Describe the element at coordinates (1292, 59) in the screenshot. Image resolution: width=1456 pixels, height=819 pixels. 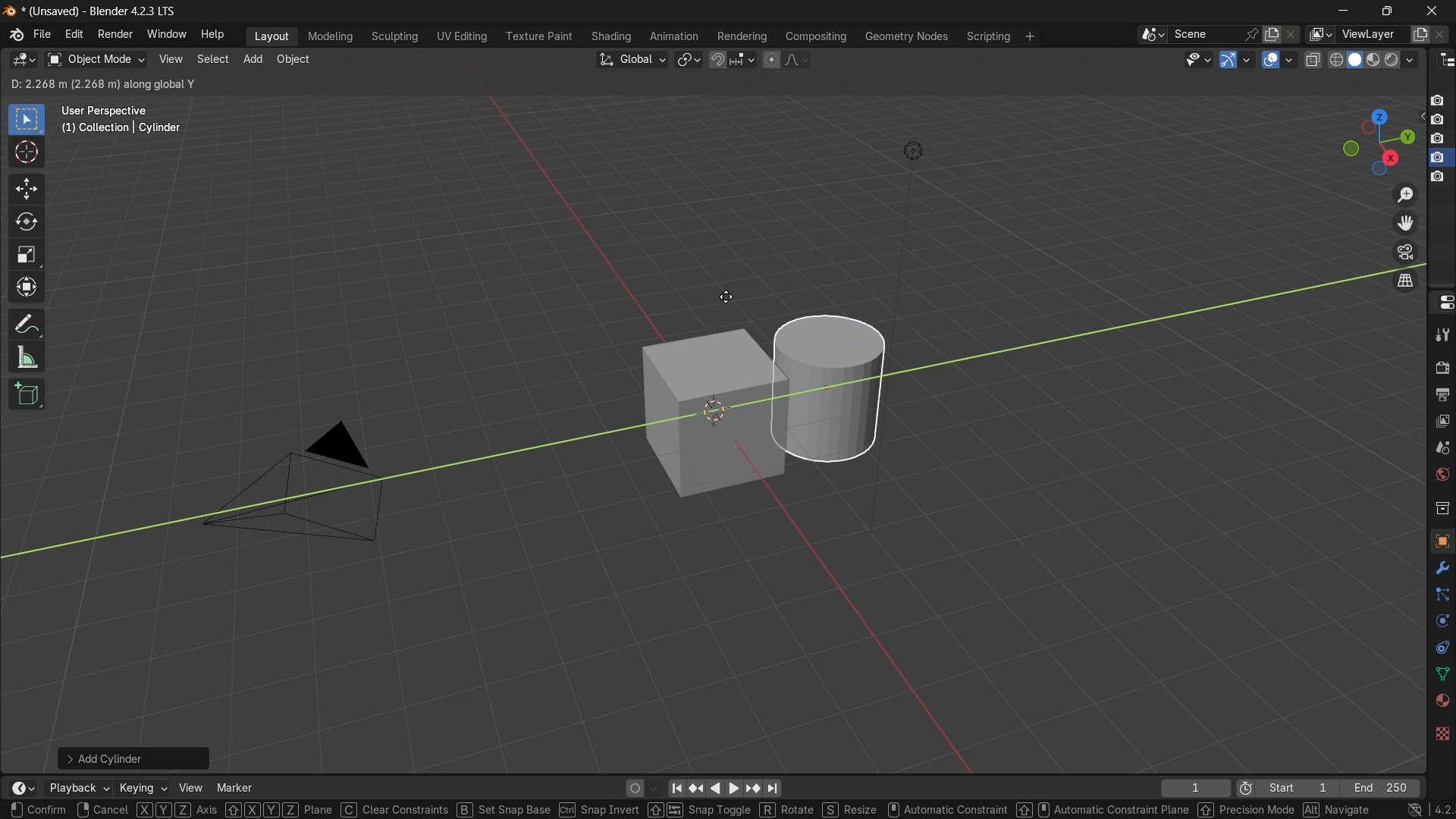
I see `overlays` at that location.